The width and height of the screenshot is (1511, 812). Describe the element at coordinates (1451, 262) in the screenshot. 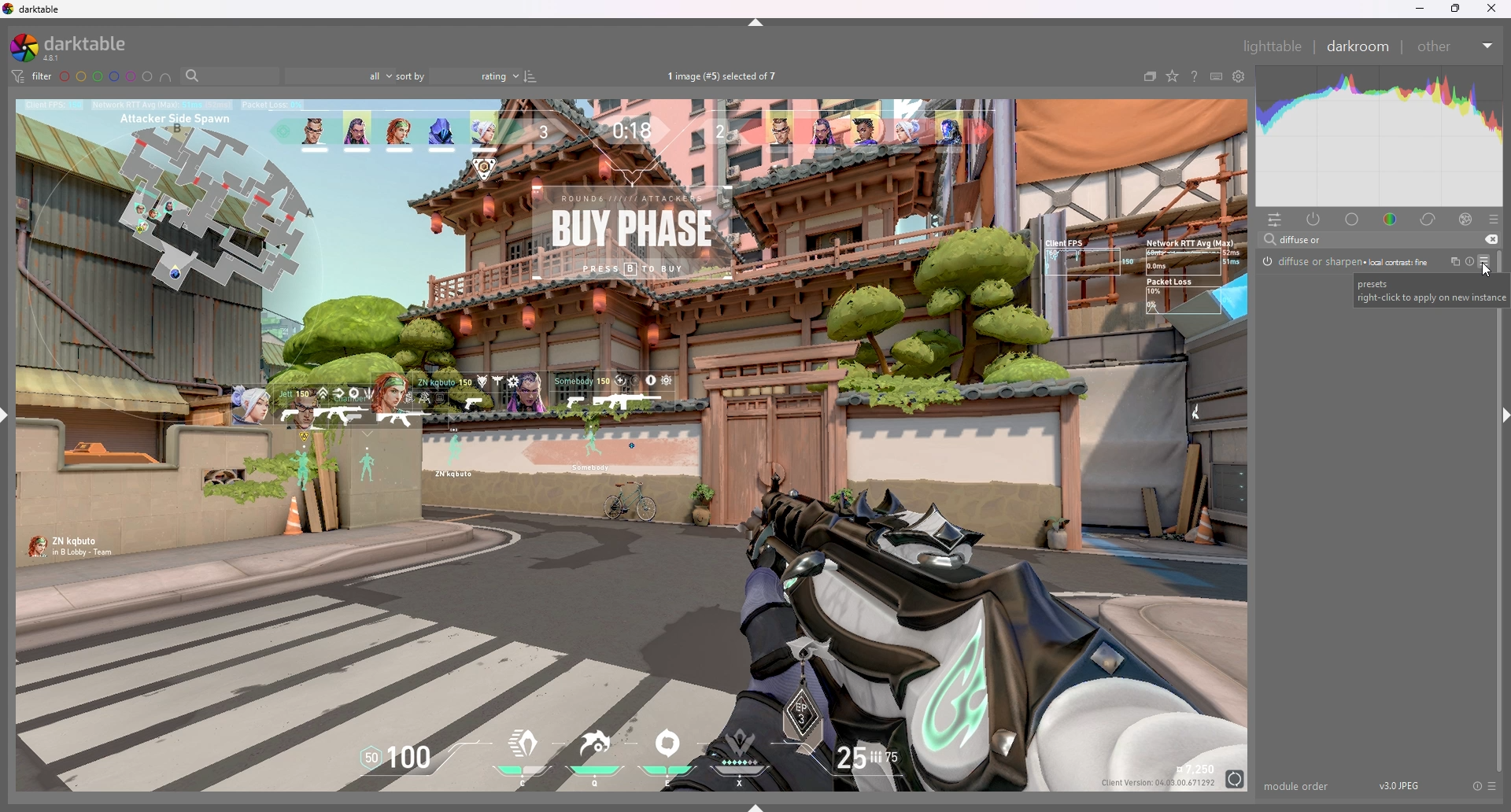

I see `multiple instances actions` at that location.